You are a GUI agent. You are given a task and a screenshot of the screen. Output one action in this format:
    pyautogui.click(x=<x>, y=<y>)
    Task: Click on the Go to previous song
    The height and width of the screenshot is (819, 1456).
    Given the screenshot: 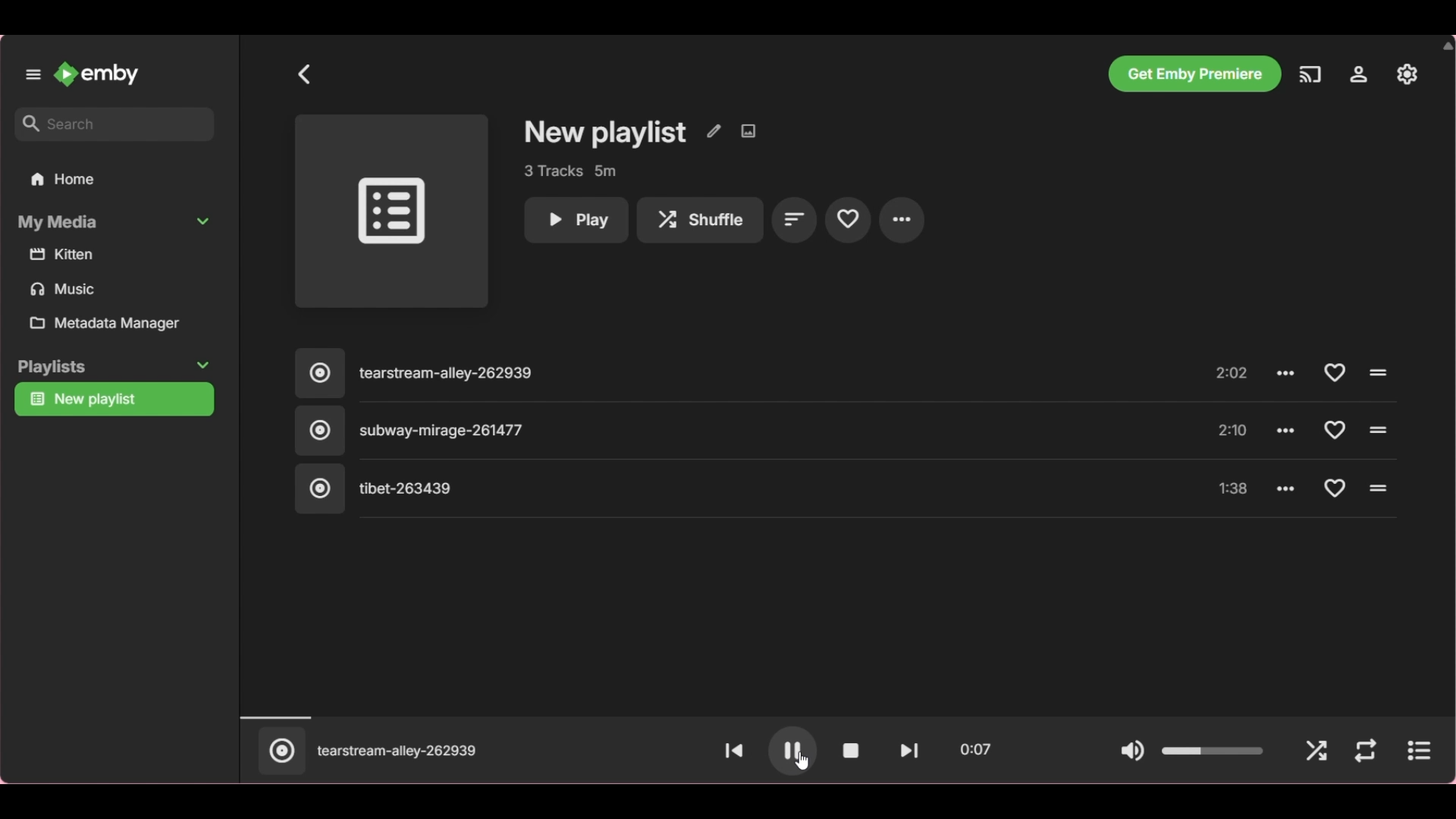 What is the action you would take?
    pyautogui.click(x=732, y=749)
    